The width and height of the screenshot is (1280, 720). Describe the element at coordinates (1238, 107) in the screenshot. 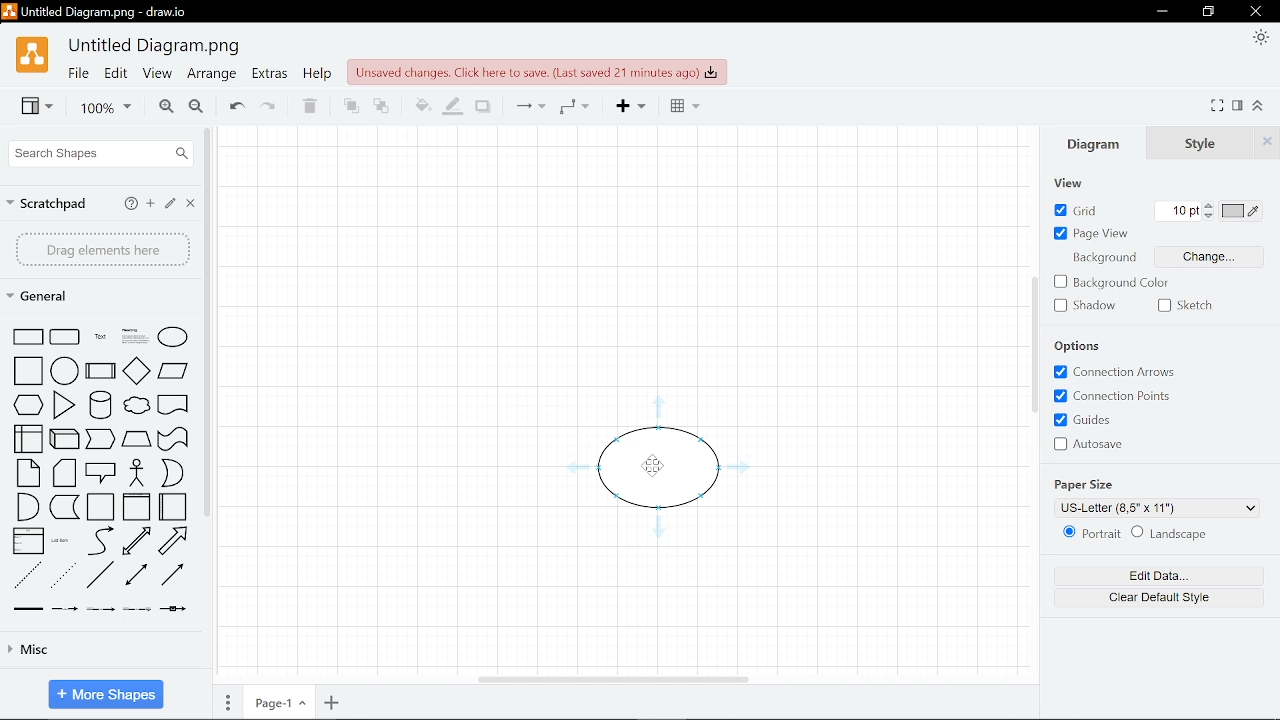

I see `Format` at that location.